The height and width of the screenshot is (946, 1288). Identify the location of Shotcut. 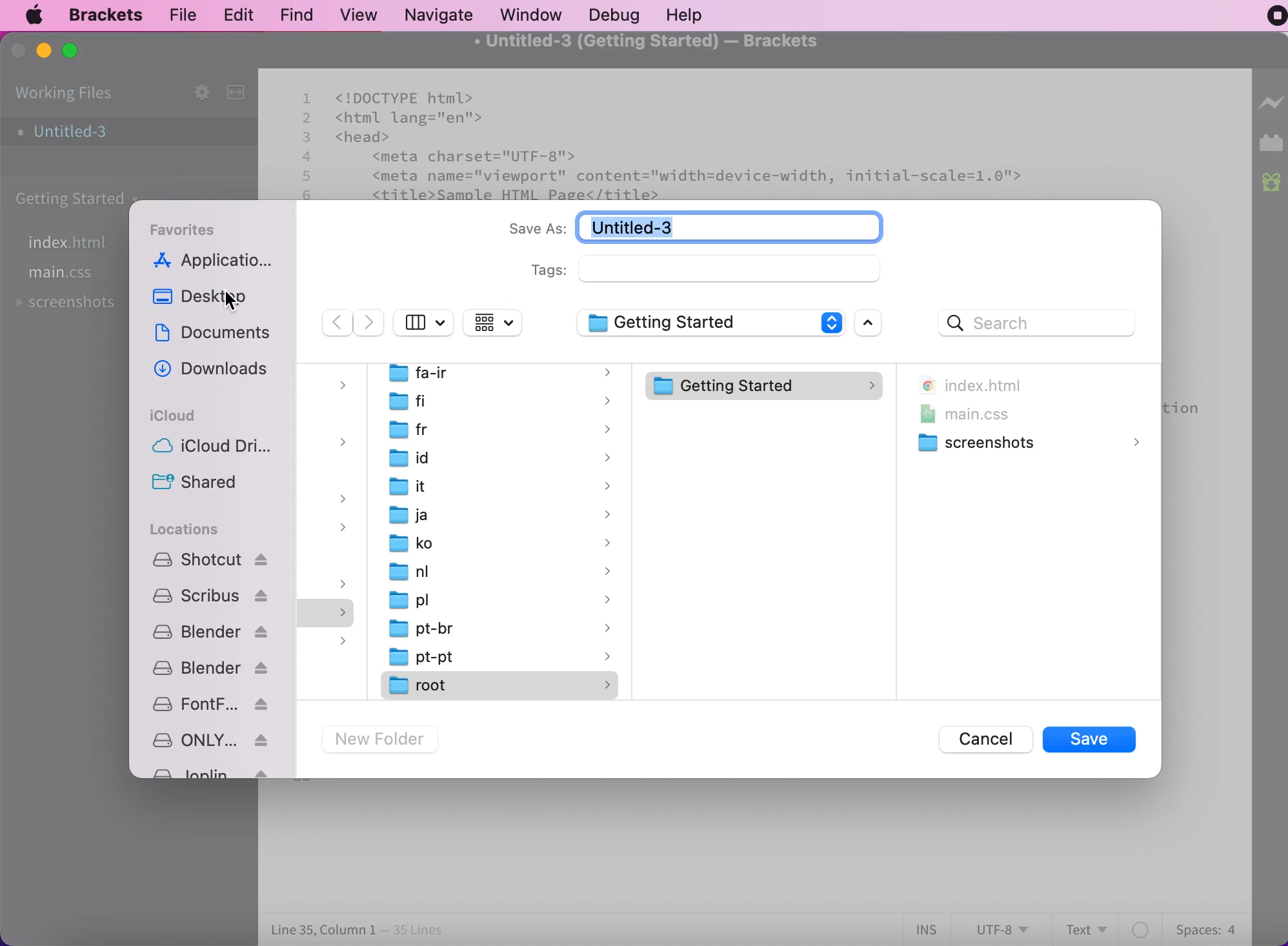
(209, 562).